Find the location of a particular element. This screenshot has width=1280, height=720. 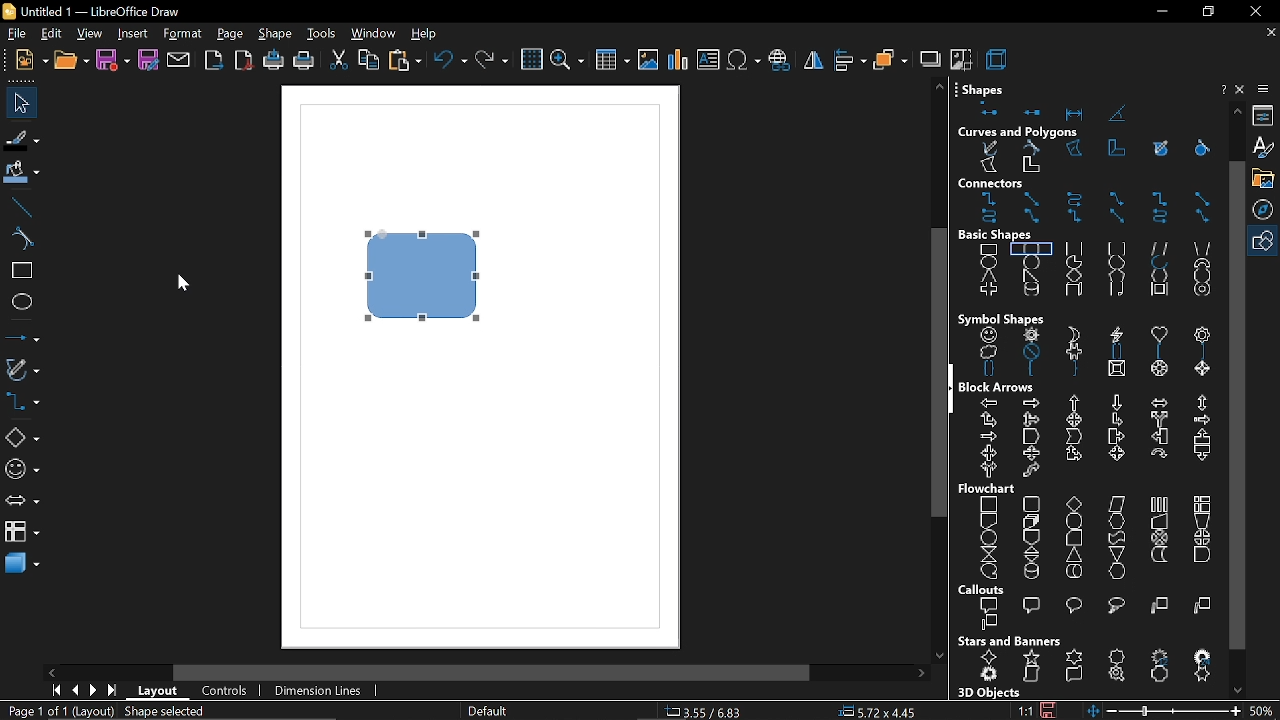

shapes is located at coordinates (987, 86).